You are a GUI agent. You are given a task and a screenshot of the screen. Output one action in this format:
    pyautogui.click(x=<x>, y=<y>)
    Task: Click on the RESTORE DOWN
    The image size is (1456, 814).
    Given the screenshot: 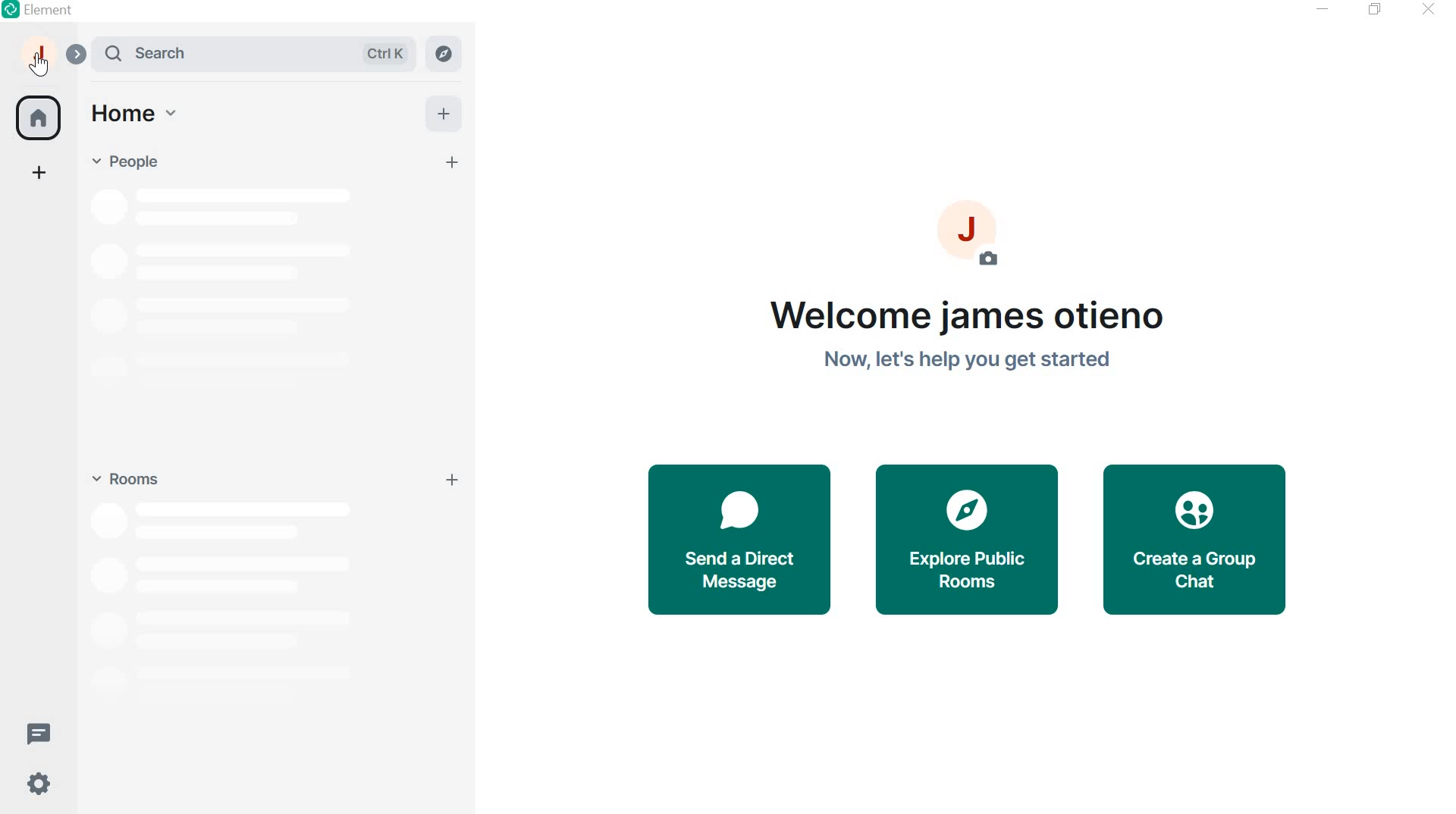 What is the action you would take?
    pyautogui.click(x=1374, y=10)
    